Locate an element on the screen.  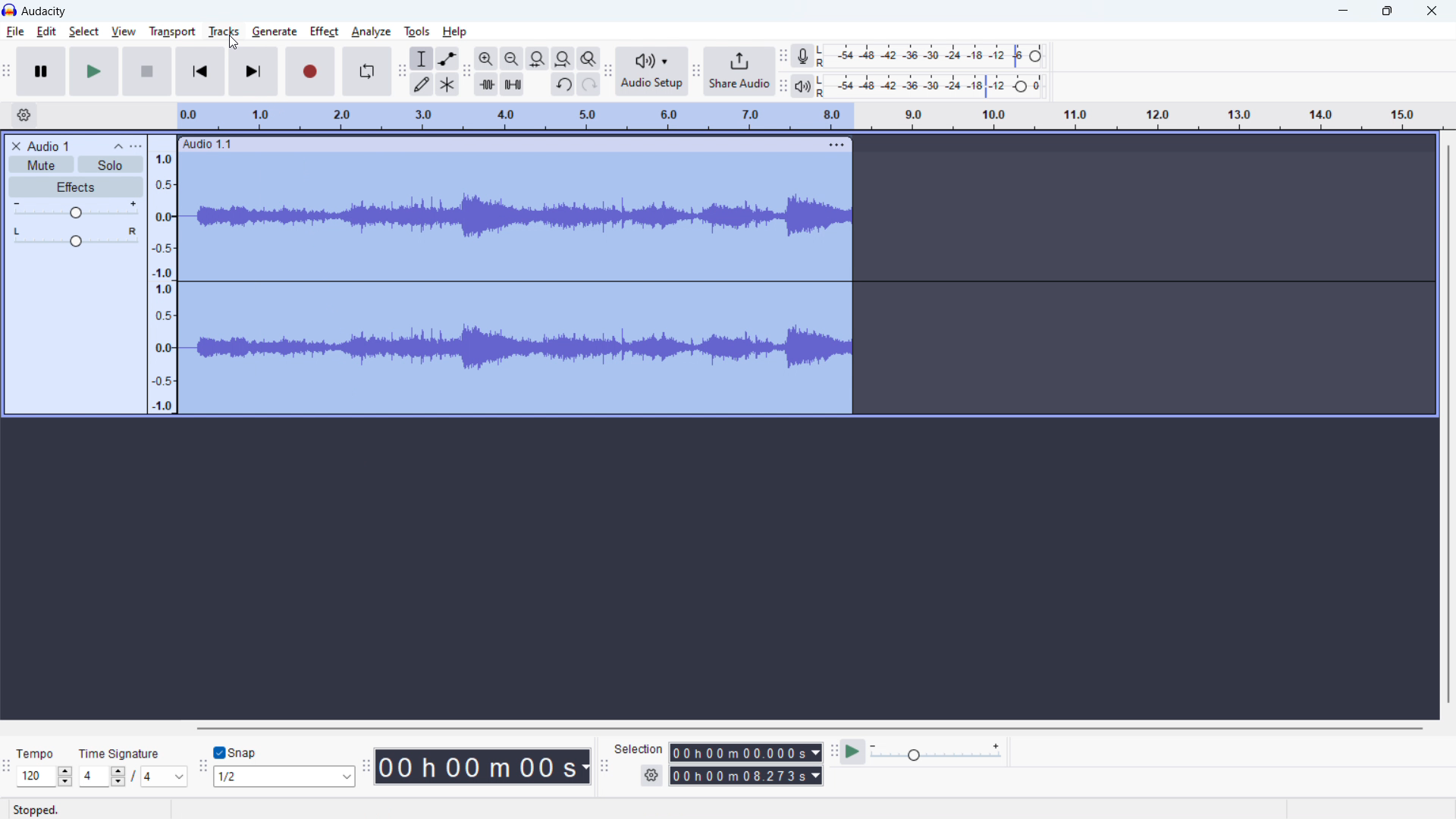
fir project to width is located at coordinates (563, 58).